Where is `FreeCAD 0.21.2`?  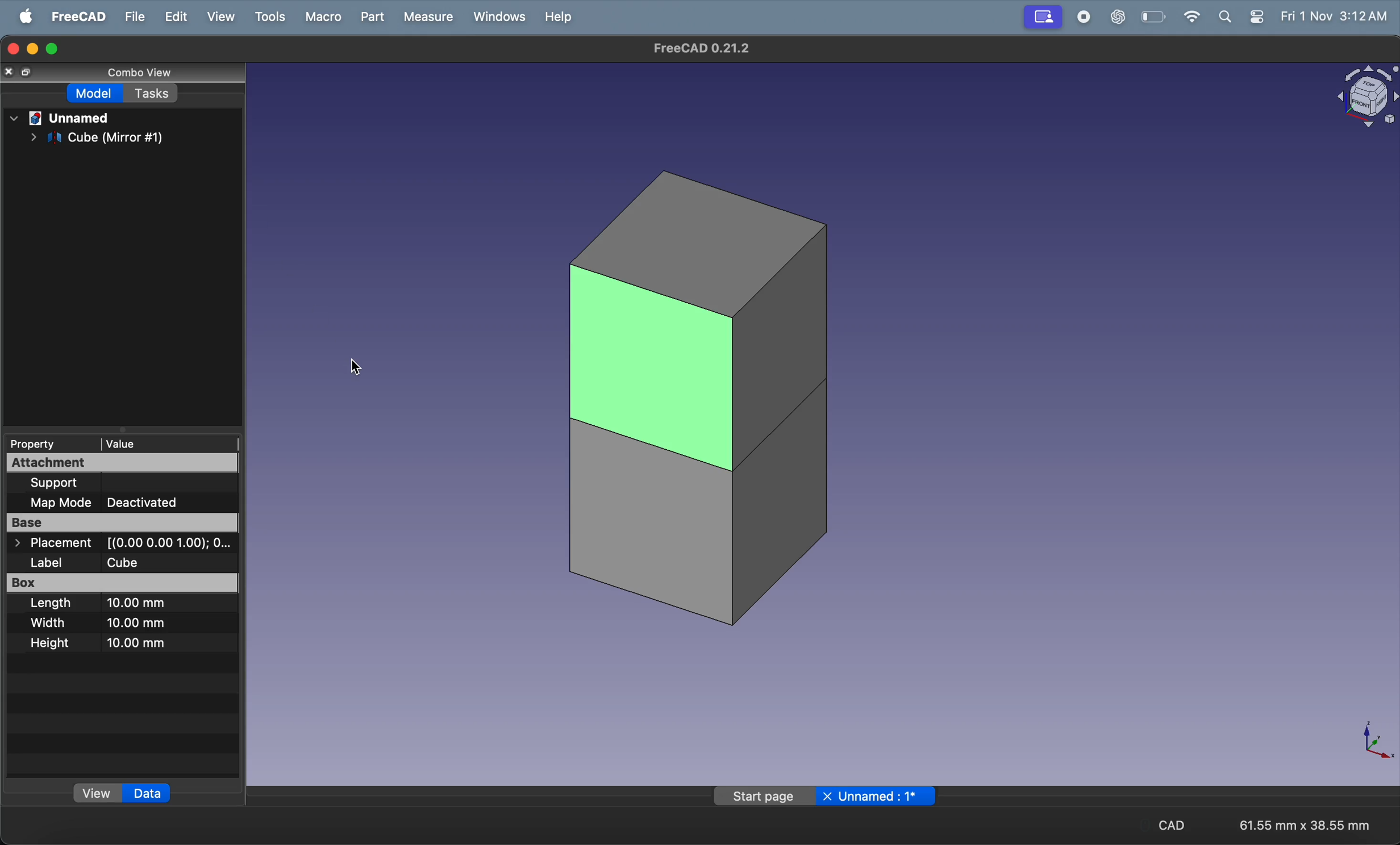 FreeCAD 0.21.2 is located at coordinates (697, 48).